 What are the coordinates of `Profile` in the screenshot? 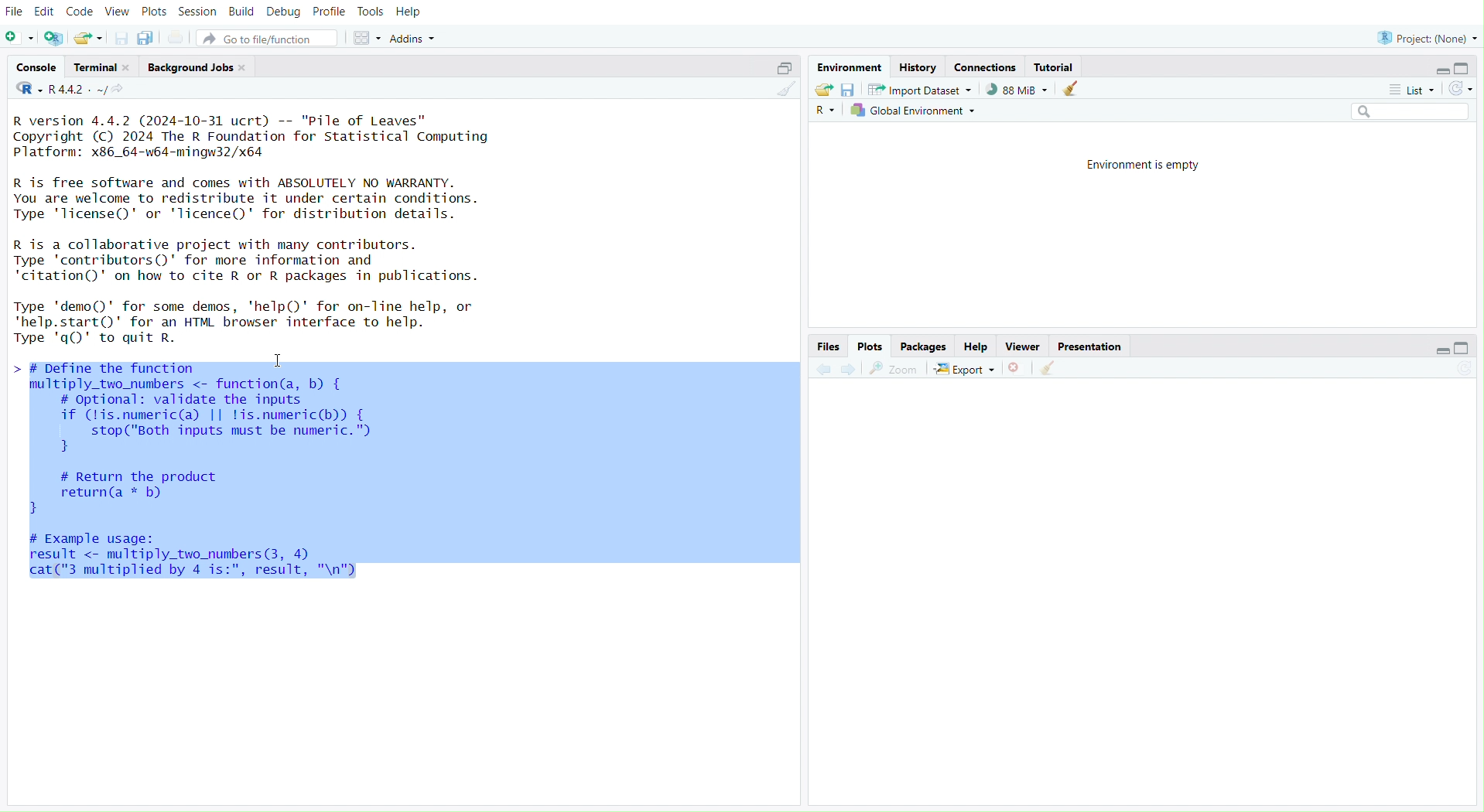 It's located at (327, 14).